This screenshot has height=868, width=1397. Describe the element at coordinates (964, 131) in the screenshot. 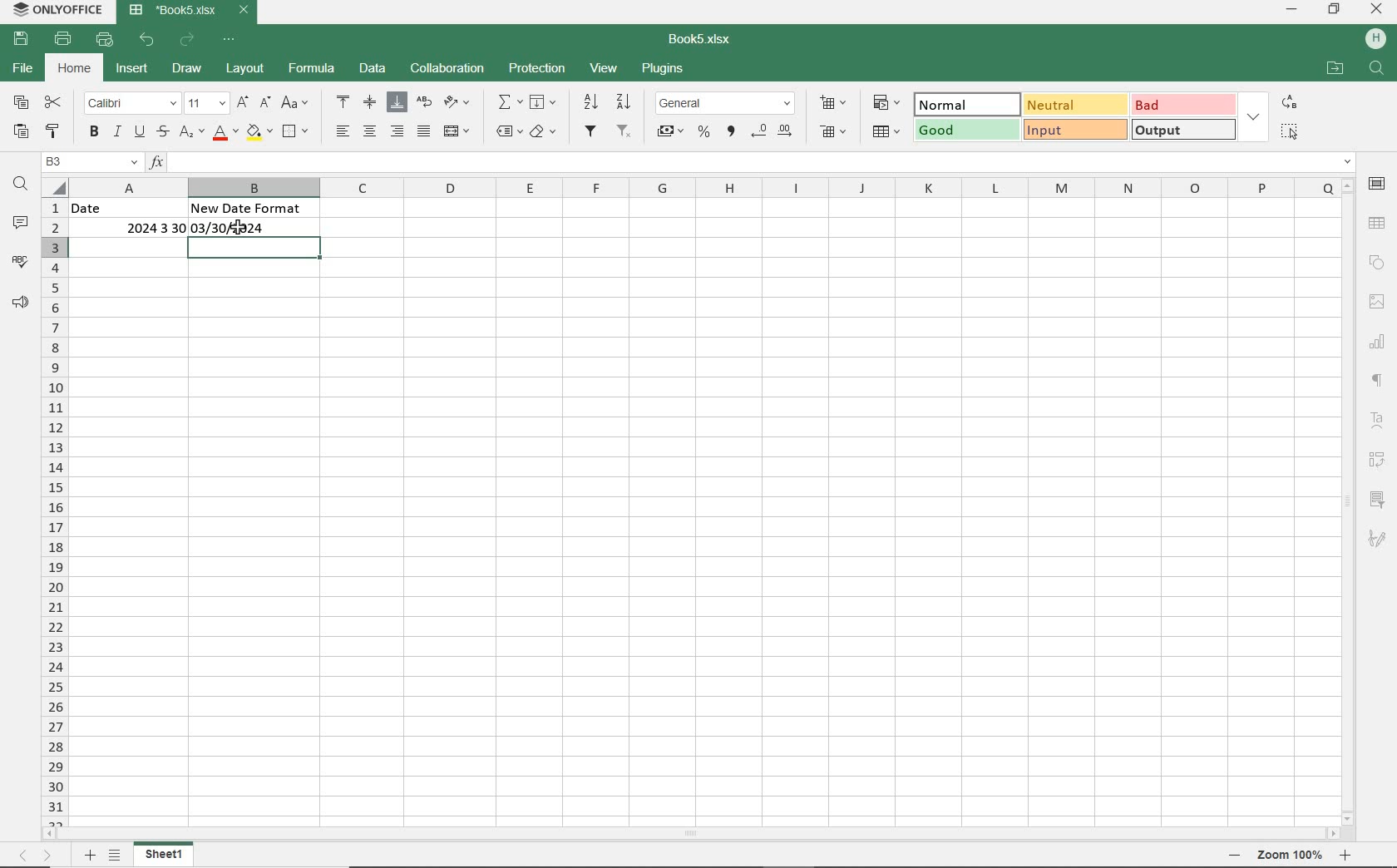

I see `GOOD` at that location.